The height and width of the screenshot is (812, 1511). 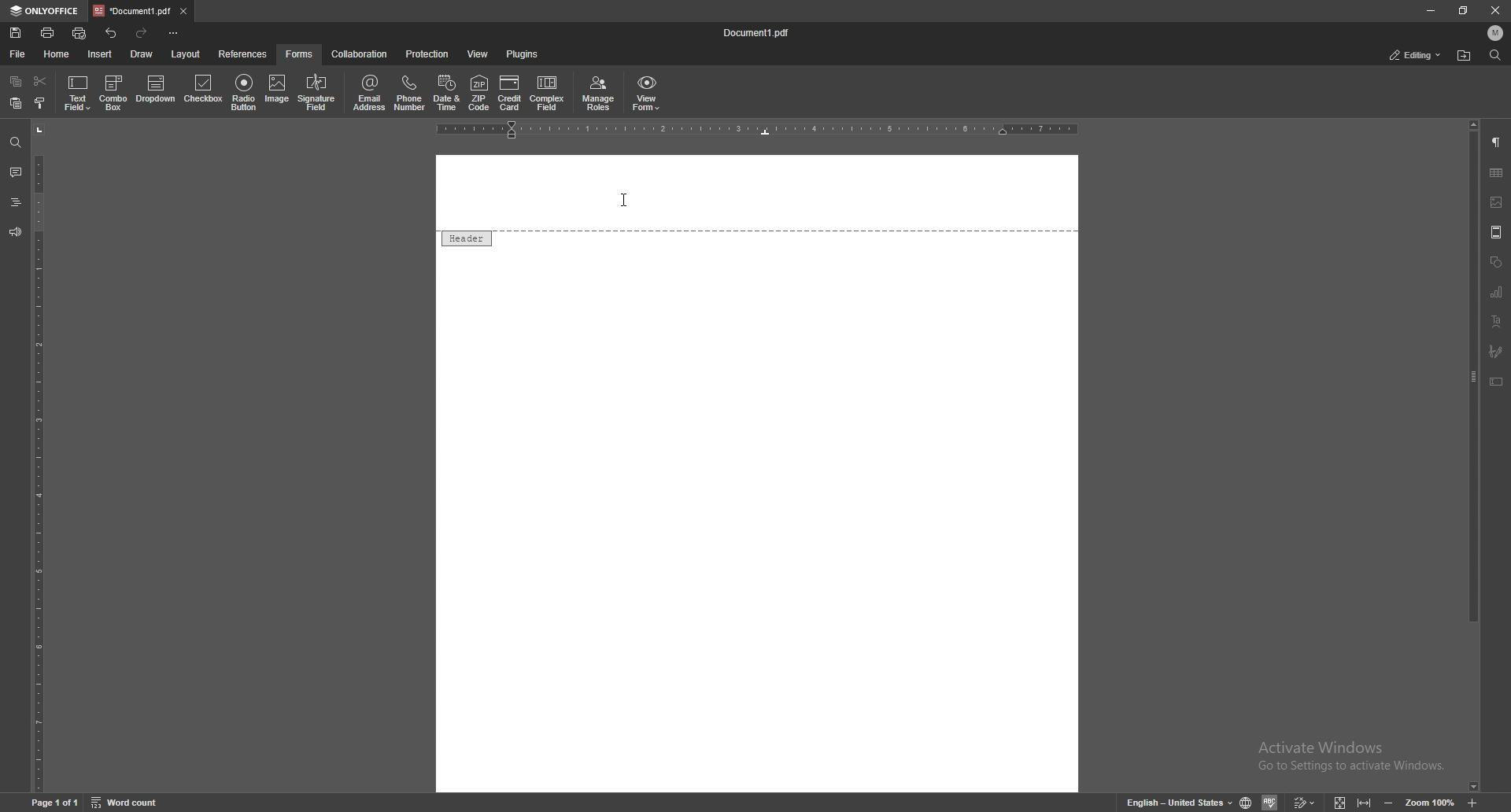 What do you see at coordinates (300, 54) in the screenshot?
I see `f` at bounding box center [300, 54].